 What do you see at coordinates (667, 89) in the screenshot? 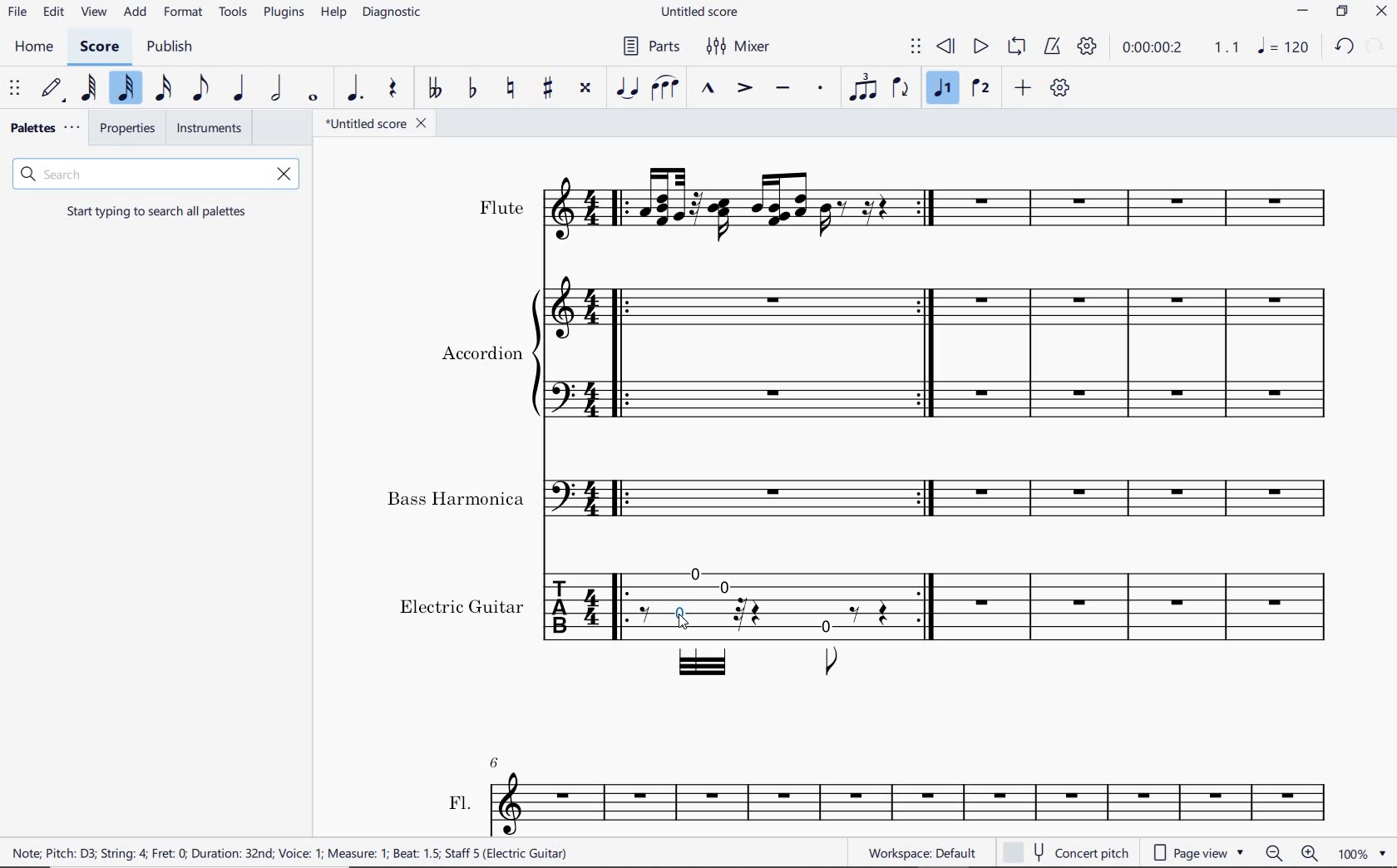
I see `slur` at bounding box center [667, 89].